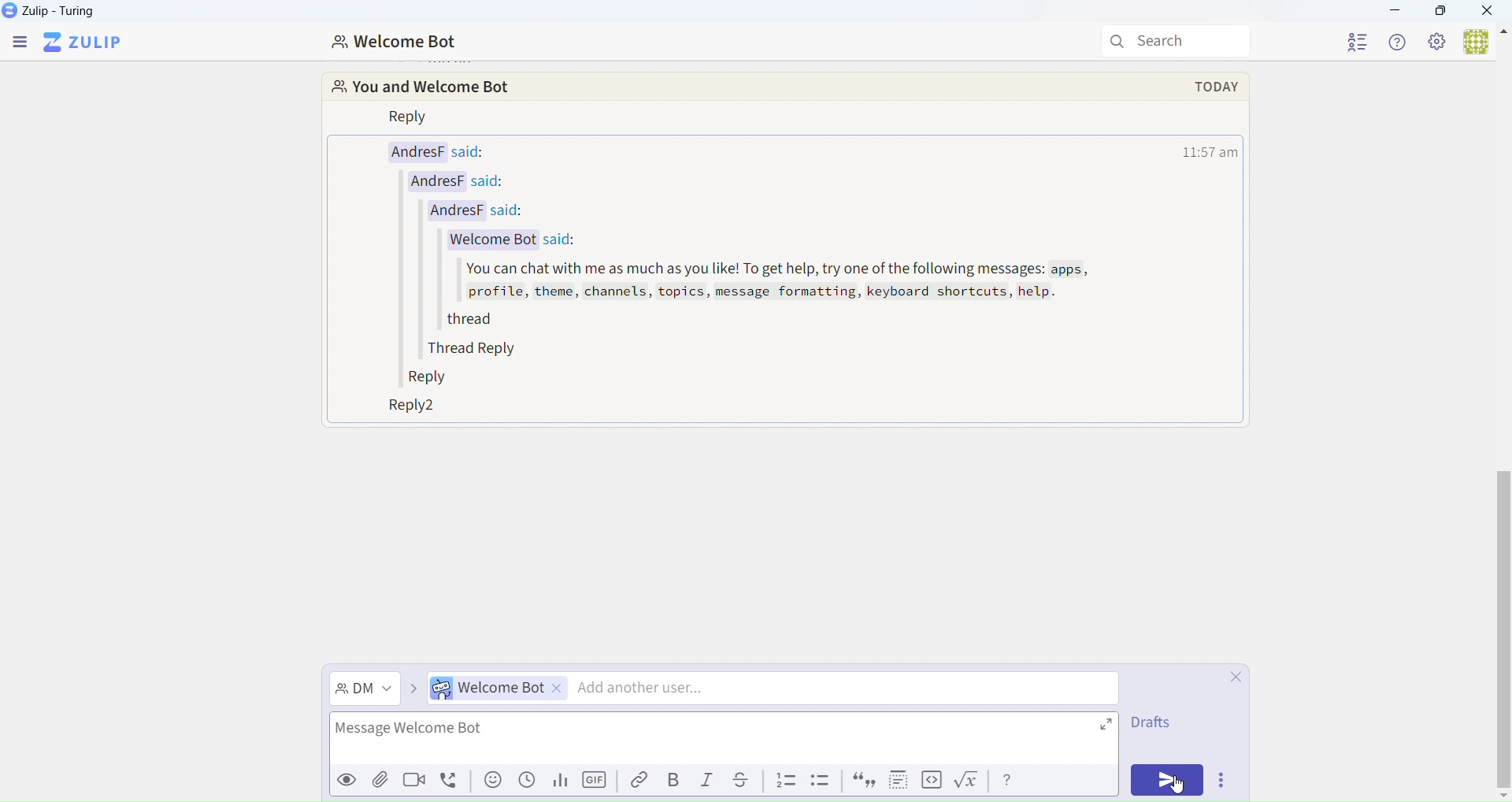 The width and height of the screenshot is (1512, 802). What do you see at coordinates (430, 378) in the screenshot?
I see `Reply` at bounding box center [430, 378].